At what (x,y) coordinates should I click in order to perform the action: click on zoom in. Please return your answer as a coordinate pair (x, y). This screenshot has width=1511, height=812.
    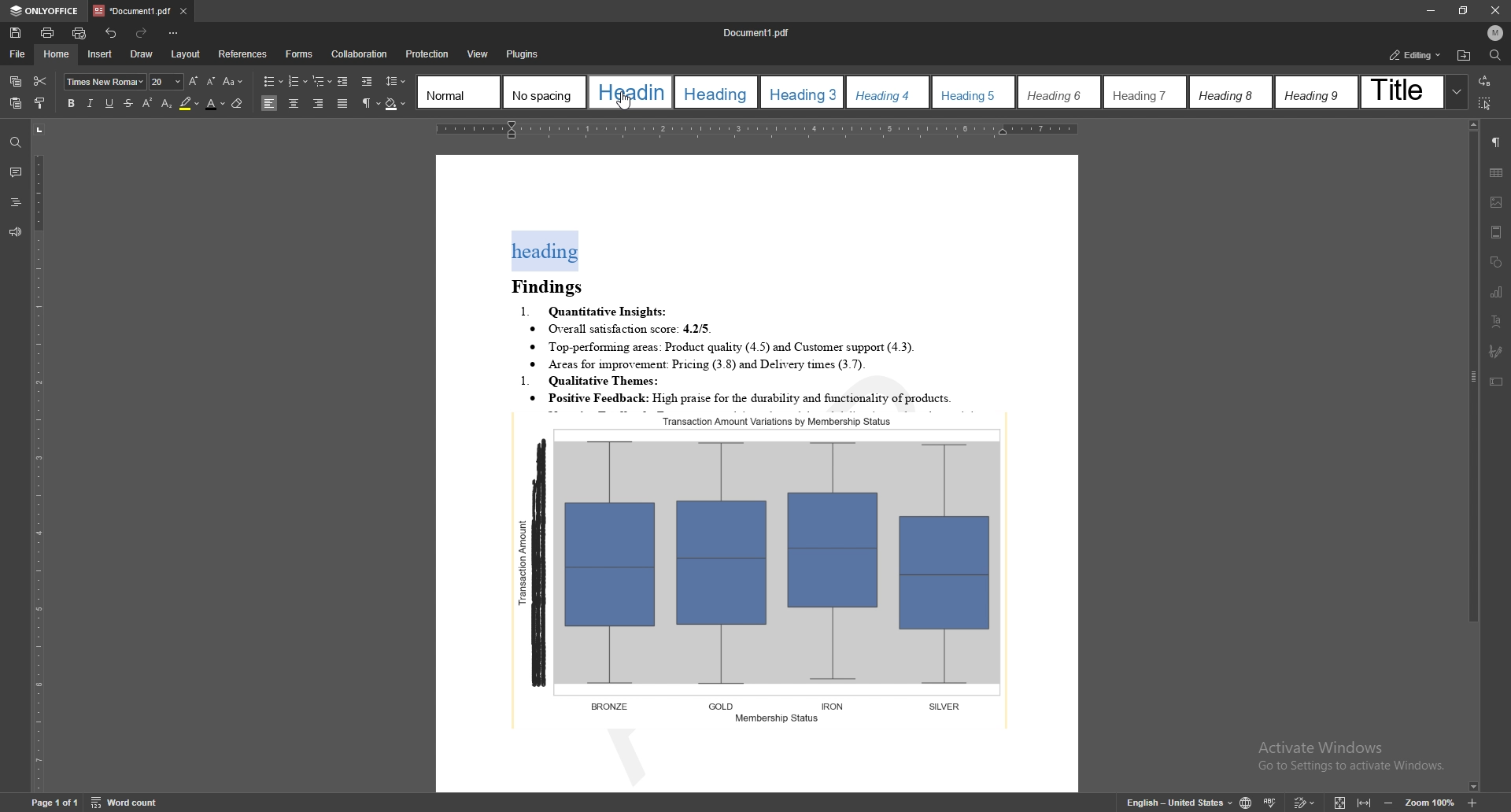
    Looking at the image, I should click on (1475, 803).